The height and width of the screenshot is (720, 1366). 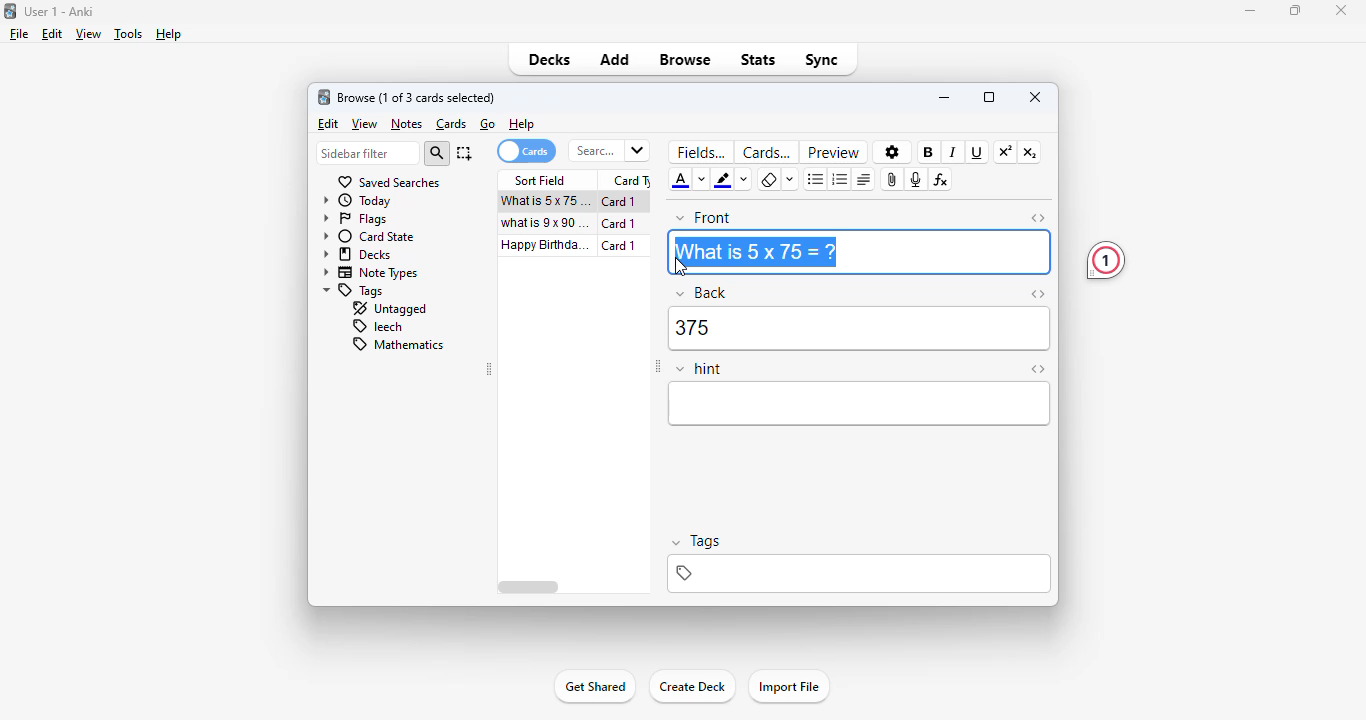 What do you see at coordinates (356, 201) in the screenshot?
I see `today` at bounding box center [356, 201].